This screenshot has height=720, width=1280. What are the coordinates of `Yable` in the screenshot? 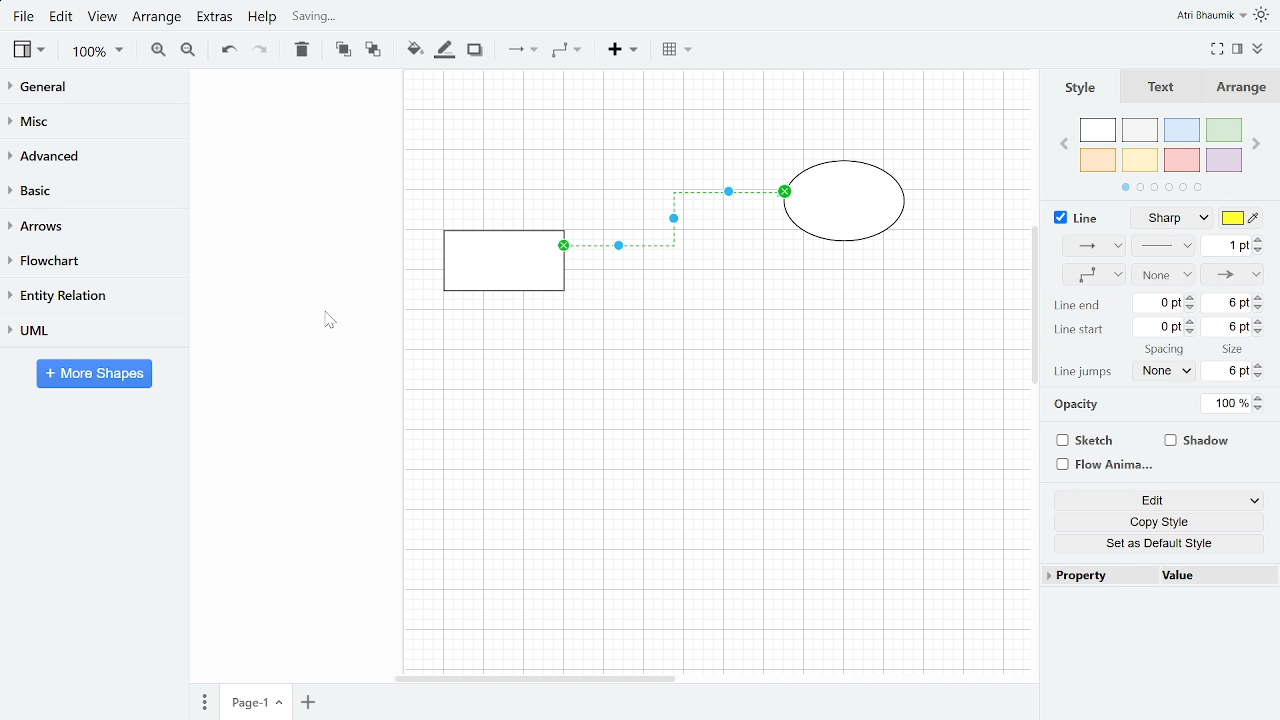 It's located at (676, 51).